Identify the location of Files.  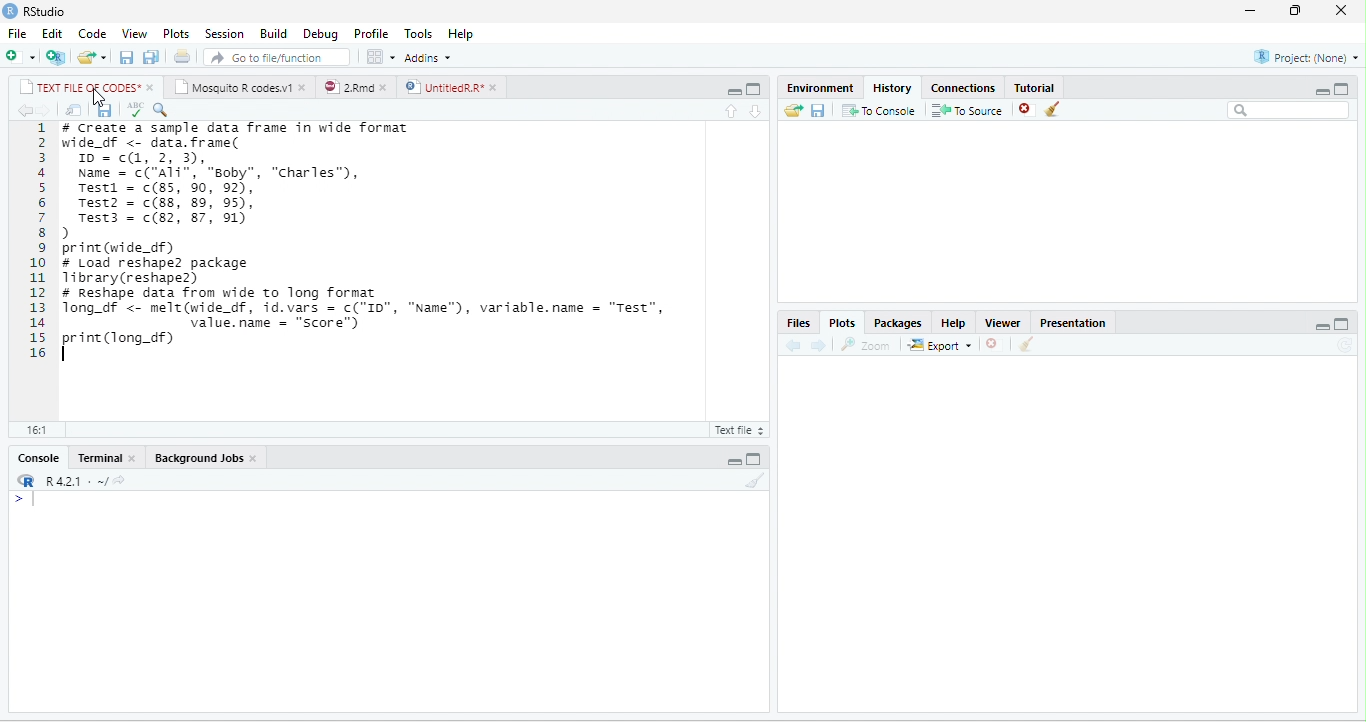
(798, 322).